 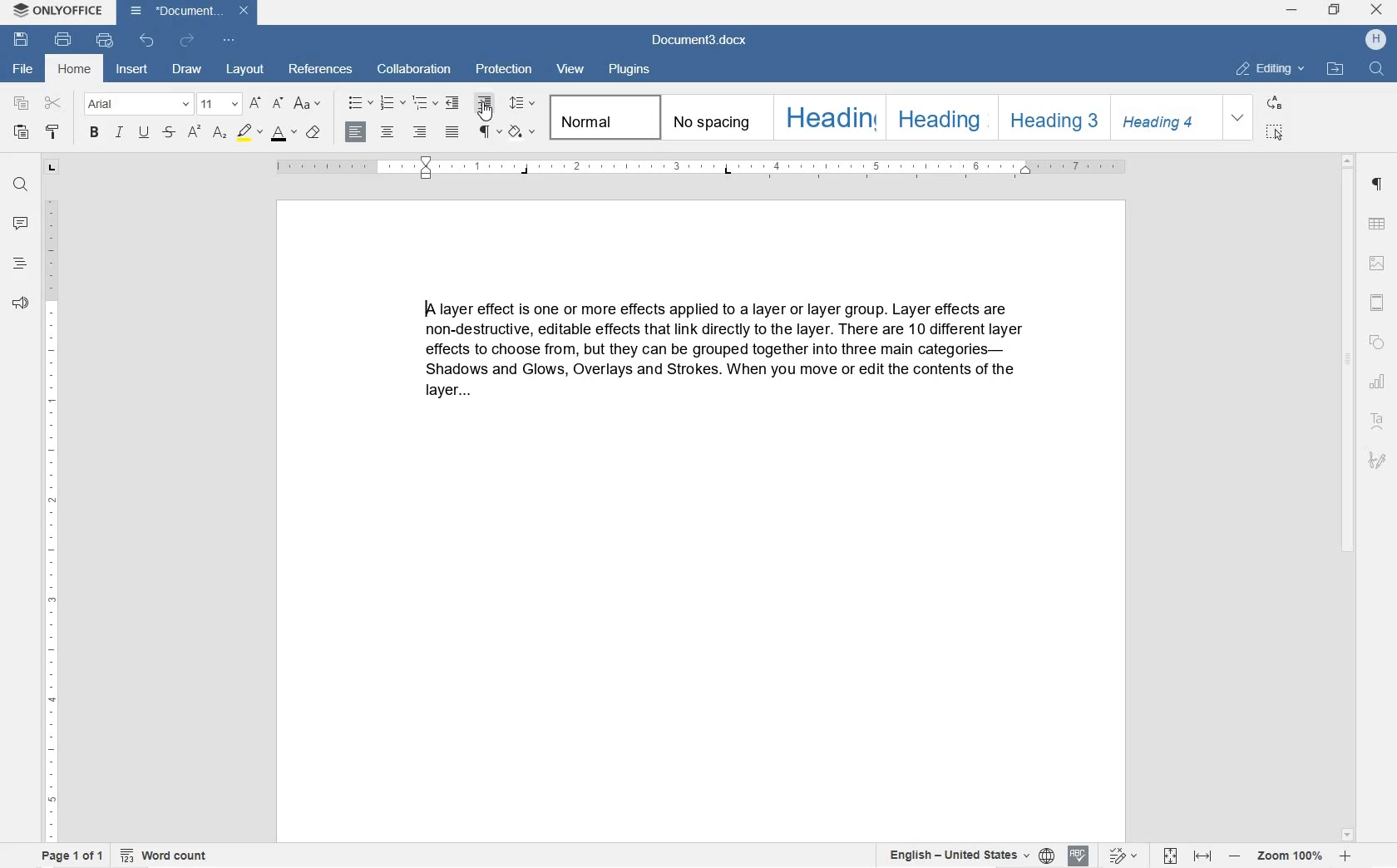 I want to click on ITALIC, so click(x=120, y=133).